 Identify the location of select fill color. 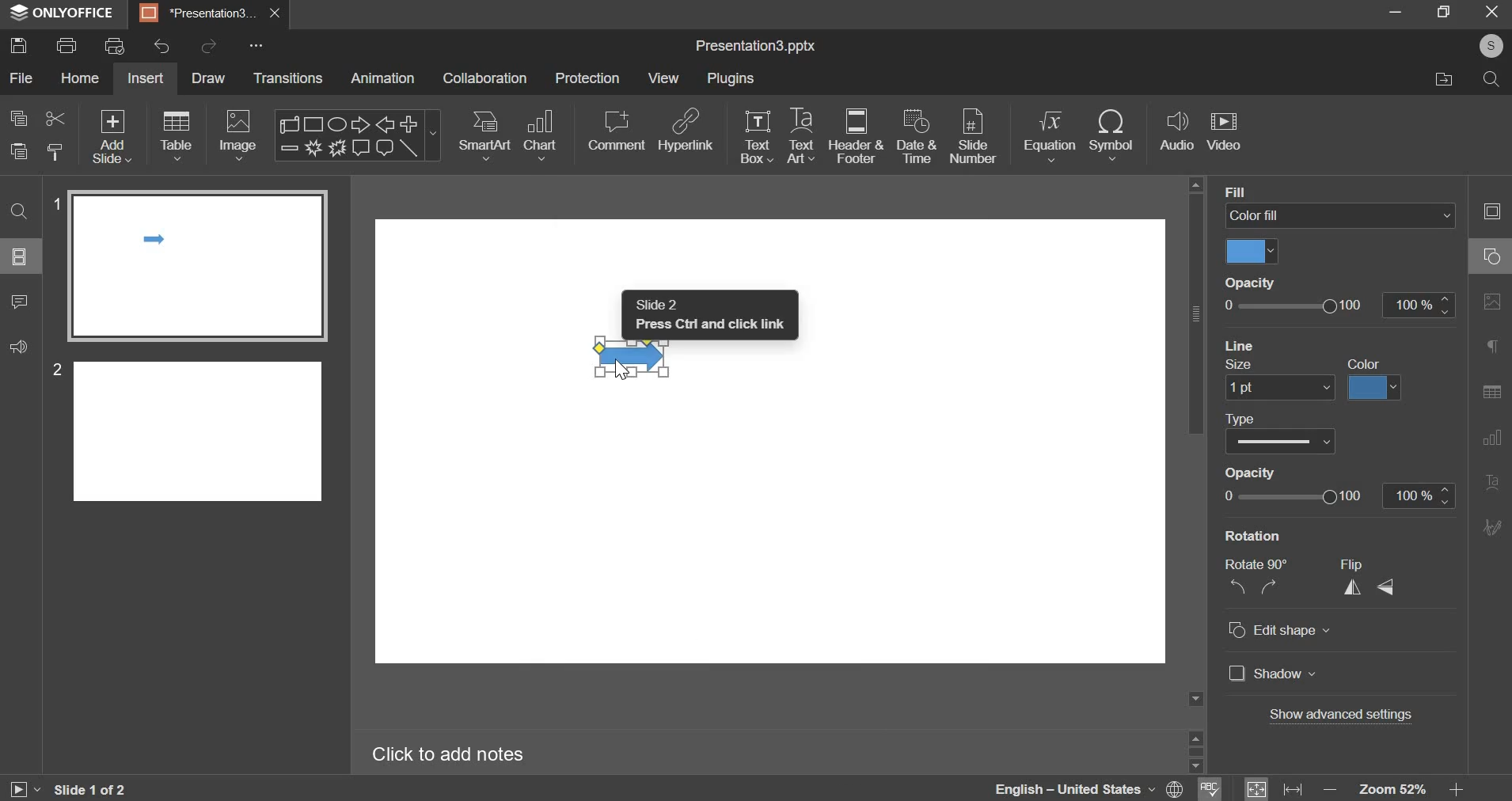
(1252, 252).